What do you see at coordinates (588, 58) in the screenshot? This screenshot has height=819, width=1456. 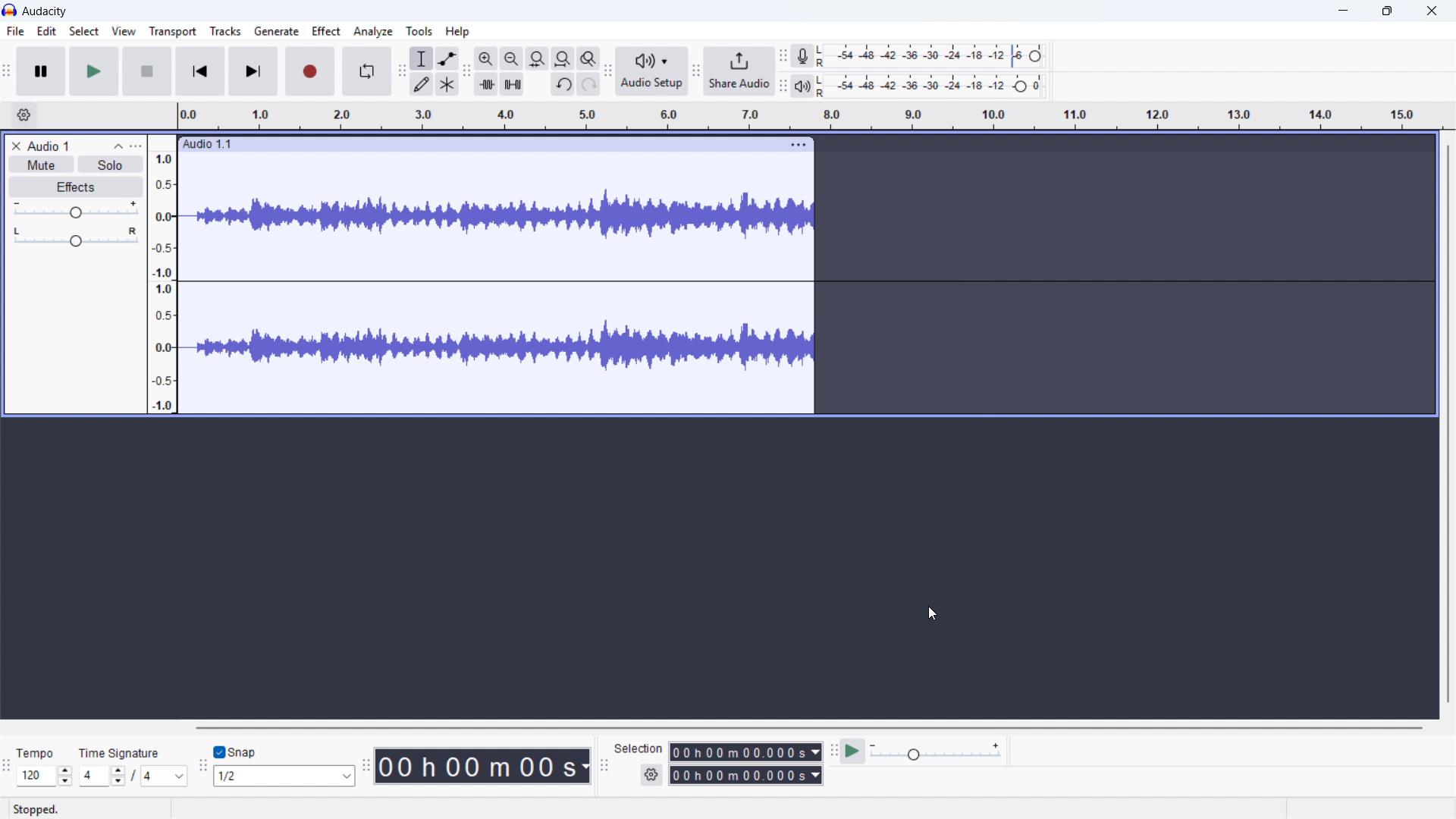 I see `Toggle zoom ` at bounding box center [588, 58].